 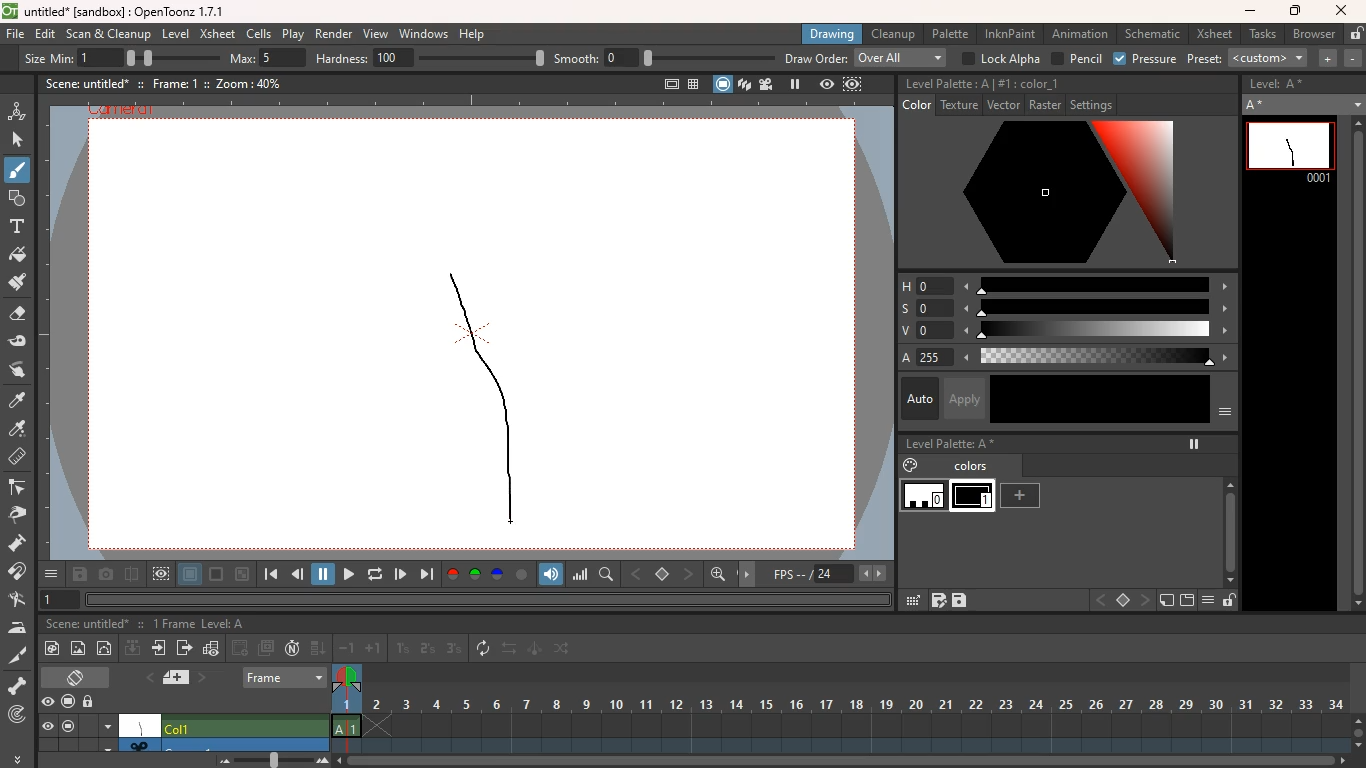 What do you see at coordinates (852, 86) in the screenshot?
I see `frame` at bounding box center [852, 86].